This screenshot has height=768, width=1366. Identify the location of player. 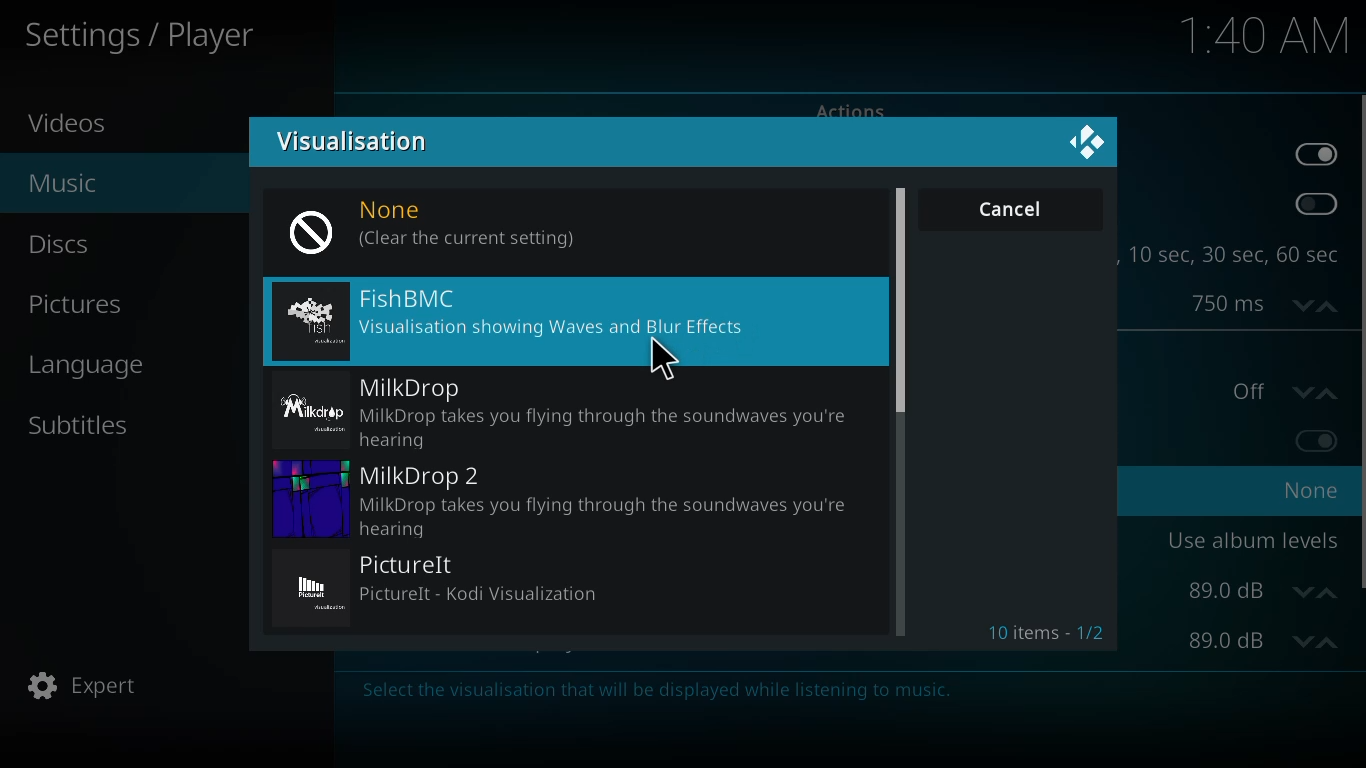
(148, 36).